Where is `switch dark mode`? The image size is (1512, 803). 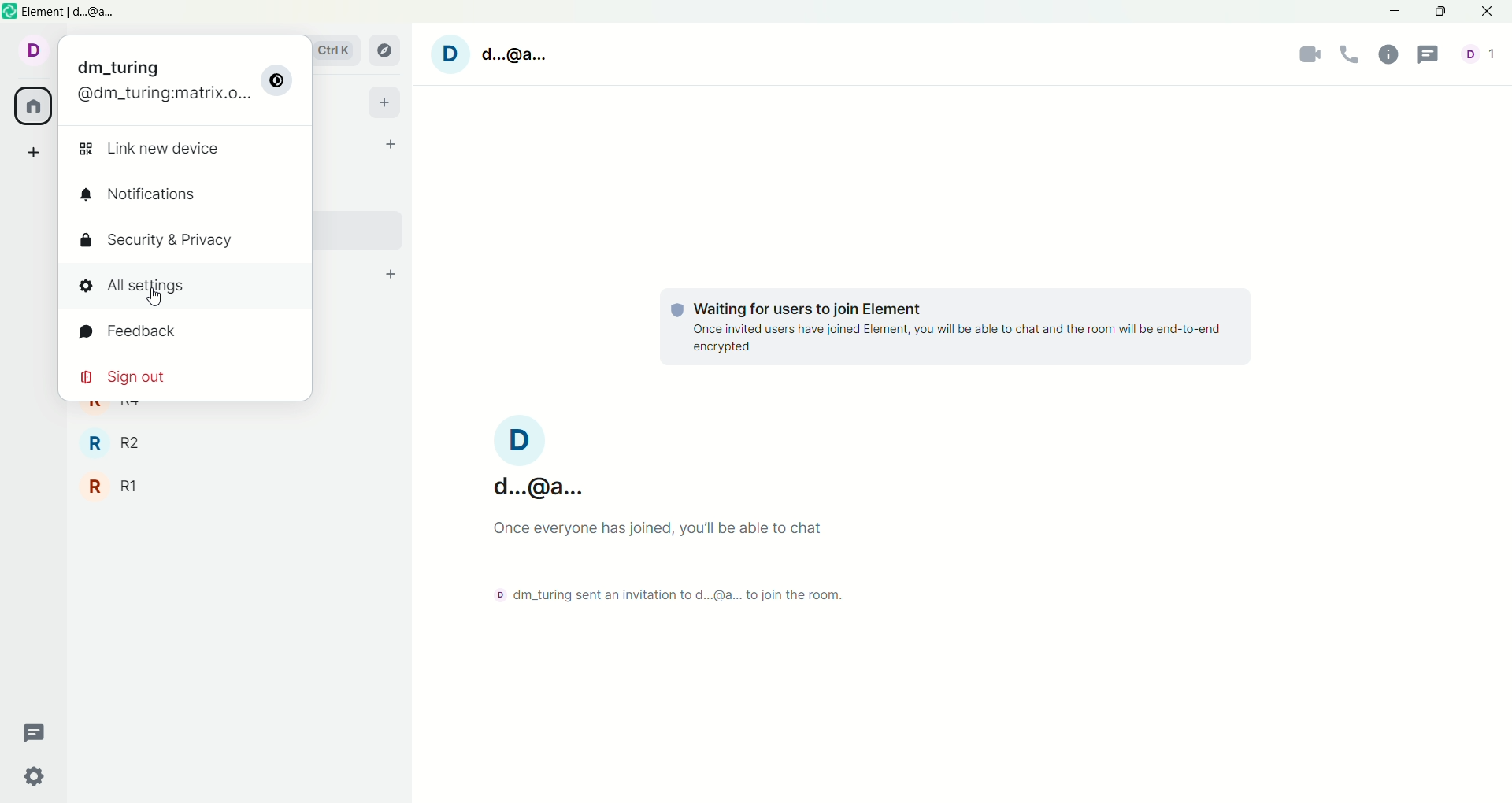 switch dark mode is located at coordinates (281, 83).